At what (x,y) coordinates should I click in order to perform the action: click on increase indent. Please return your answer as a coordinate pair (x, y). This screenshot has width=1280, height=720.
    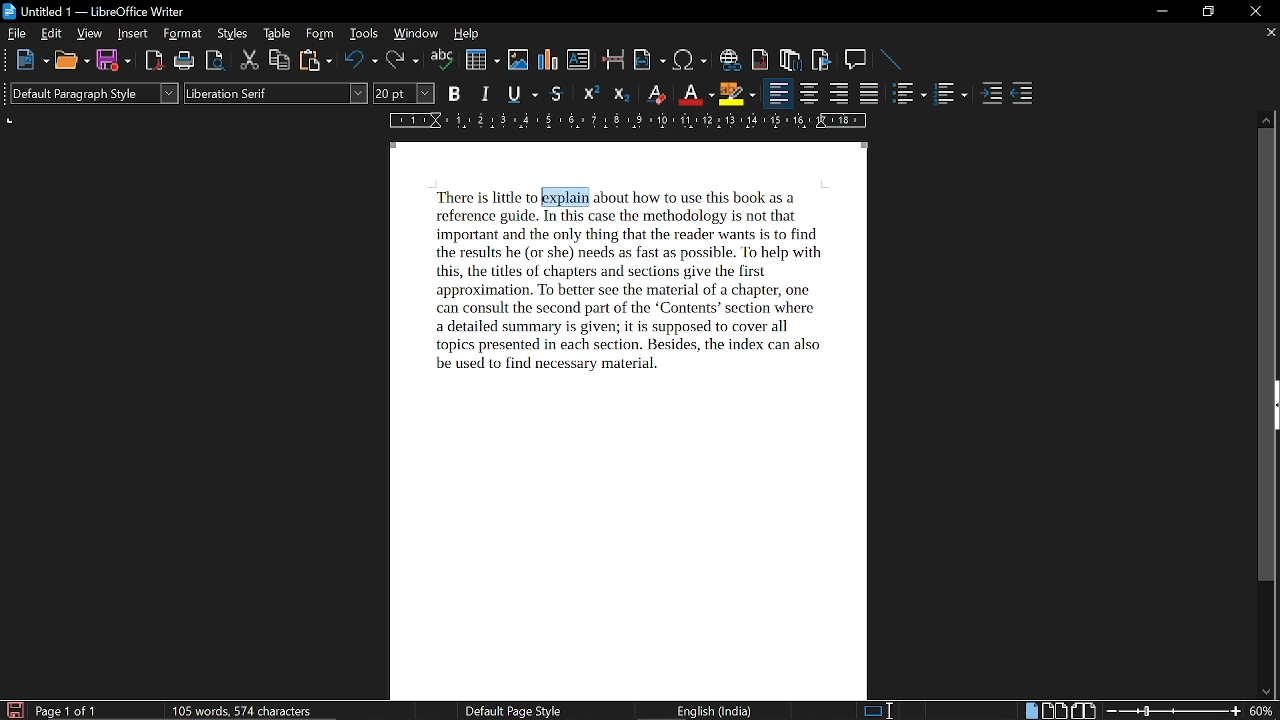
    Looking at the image, I should click on (994, 94).